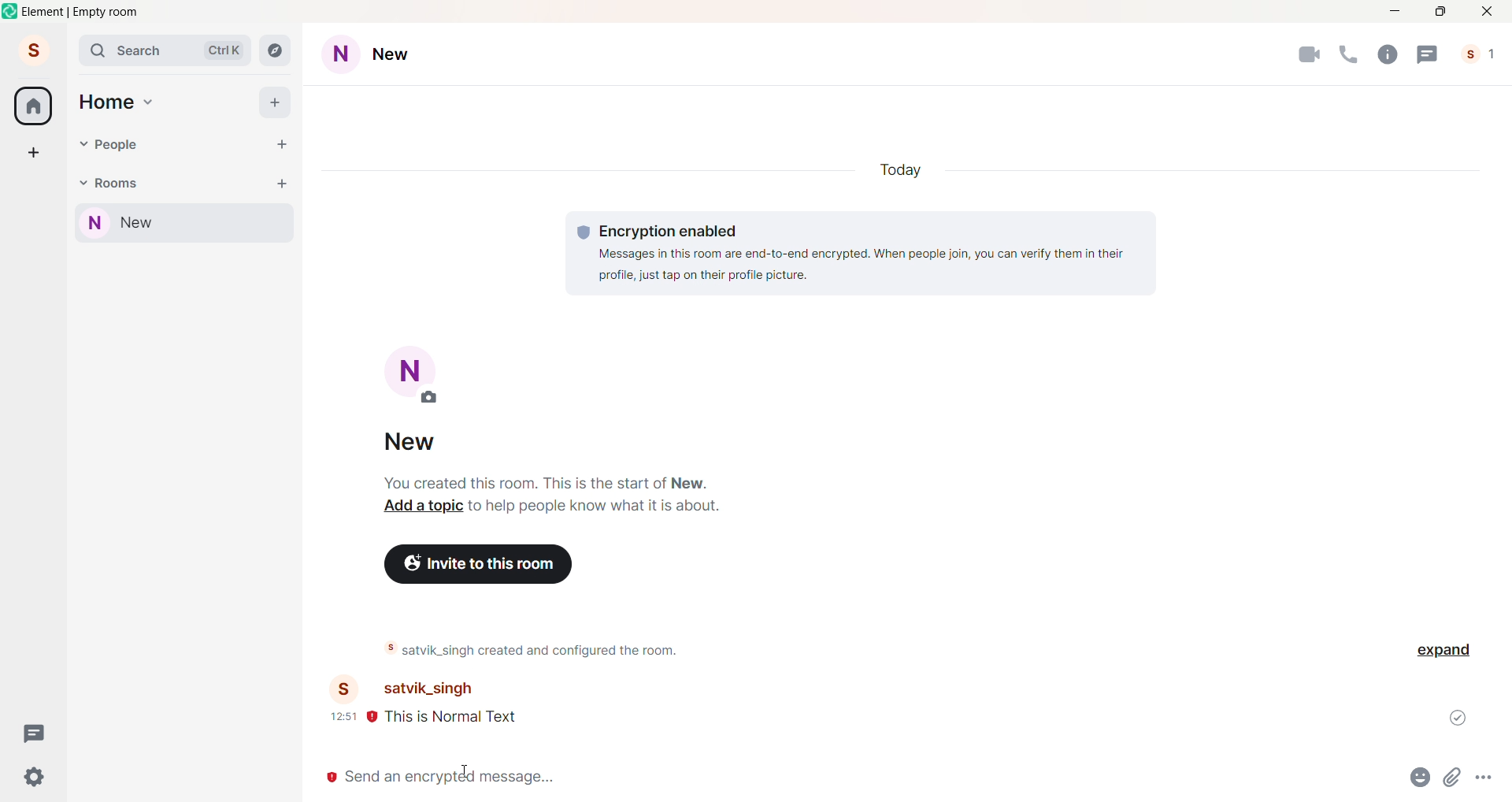 Image resolution: width=1512 pixels, height=802 pixels. I want to click on 12:51, so click(343, 716).